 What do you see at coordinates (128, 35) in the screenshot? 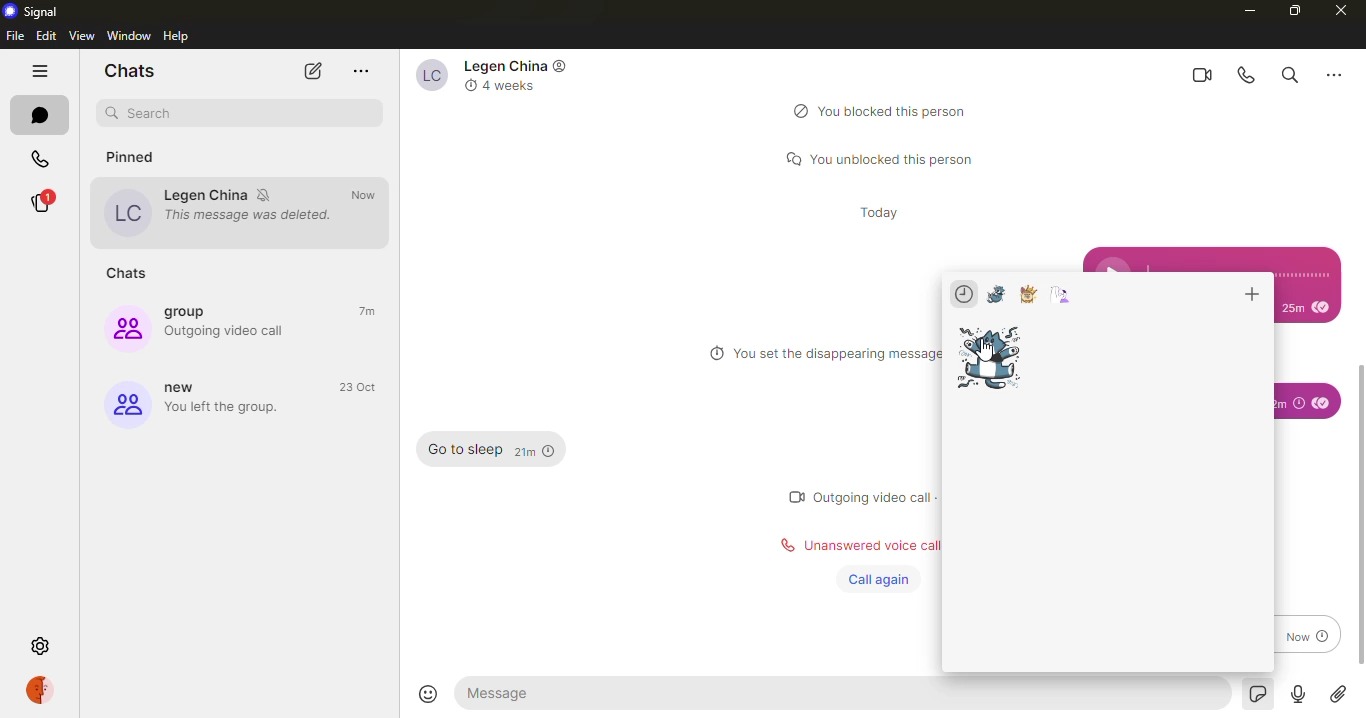
I see `window` at bounding box center [128, 35].